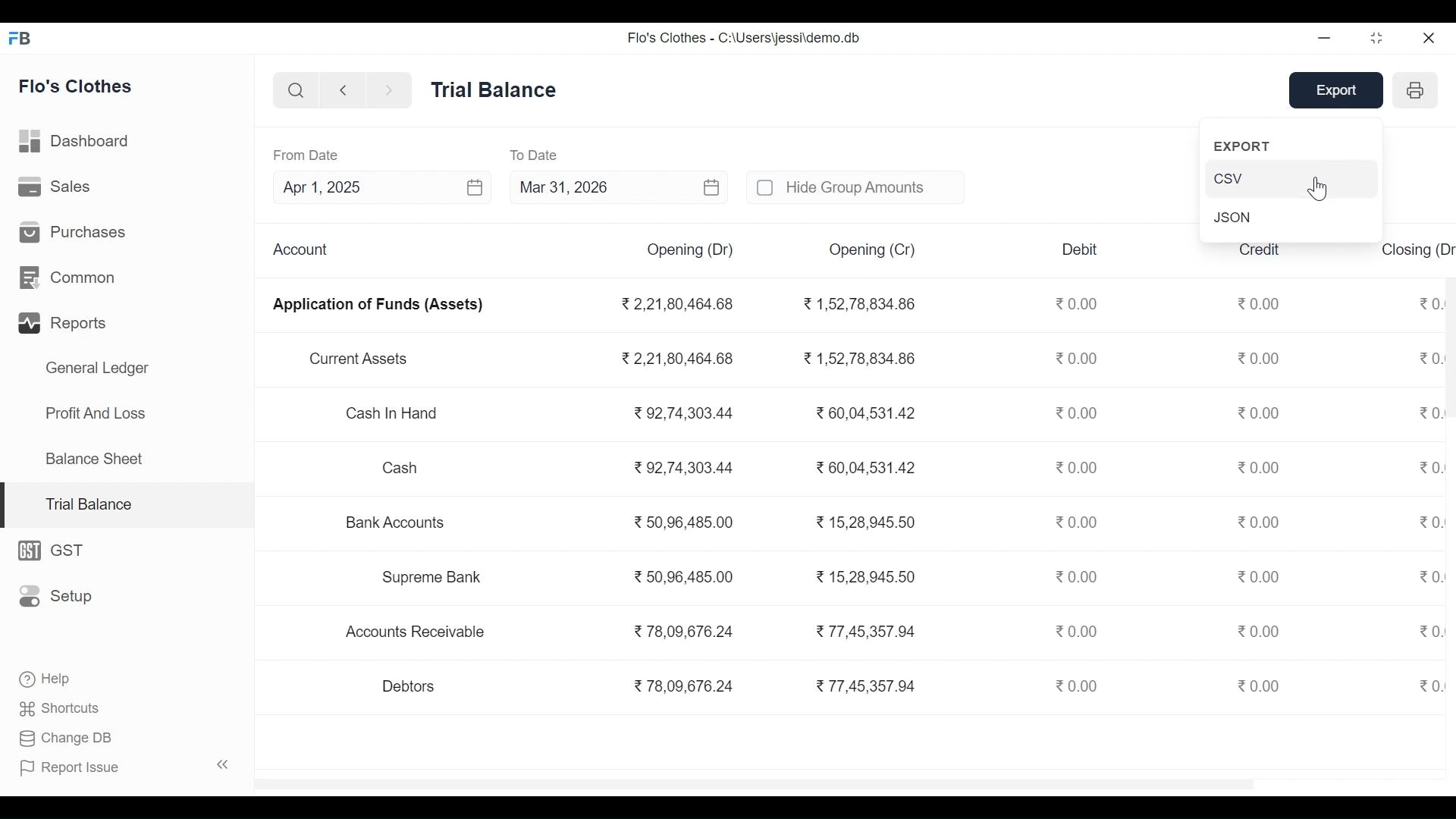 This screenshot has width=1456, height=819. Describe the element at coordinates (861, 411) in the screenshot. I see `60,04,531.42` at that location.